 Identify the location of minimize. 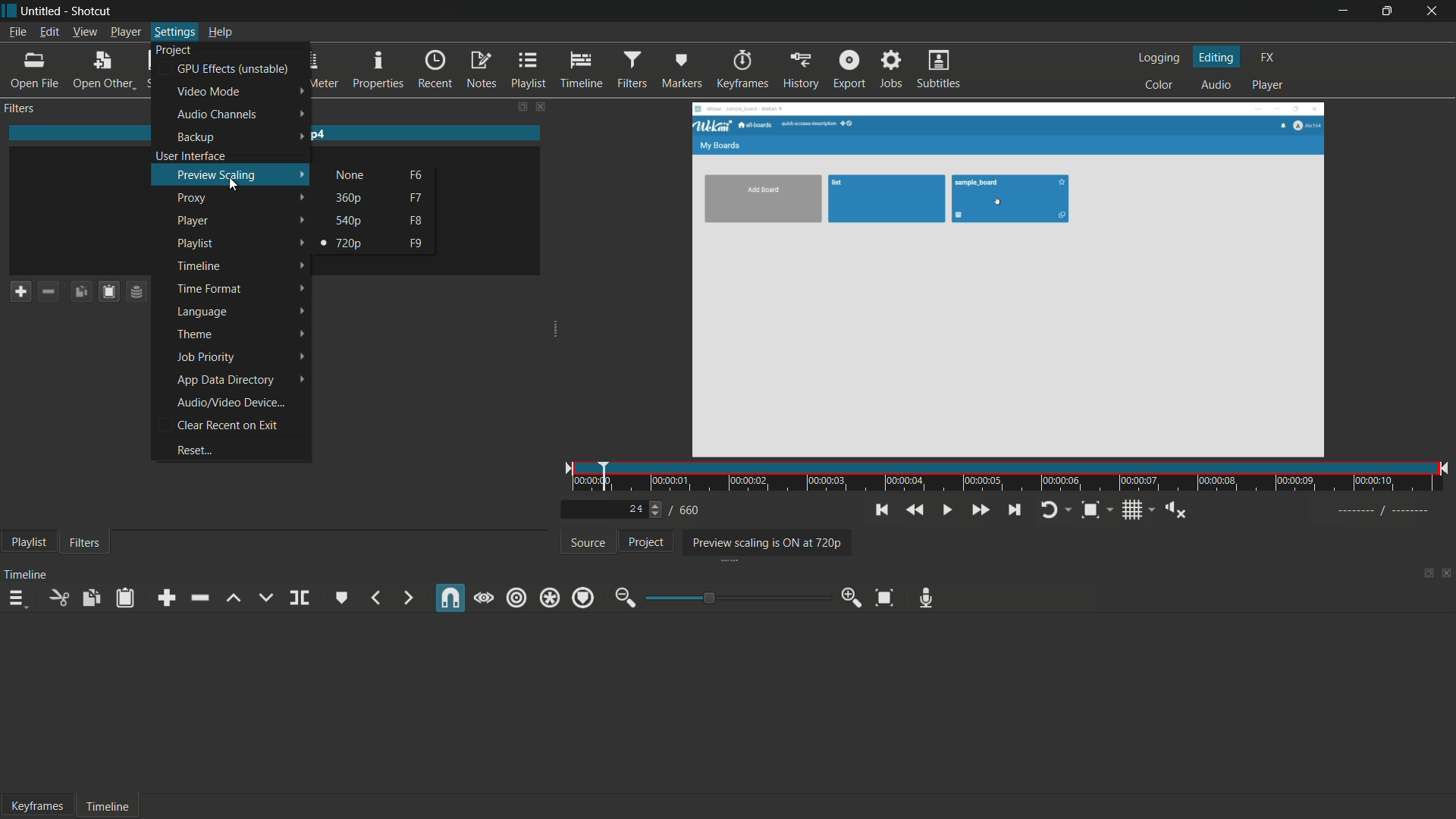
(1343, 11).